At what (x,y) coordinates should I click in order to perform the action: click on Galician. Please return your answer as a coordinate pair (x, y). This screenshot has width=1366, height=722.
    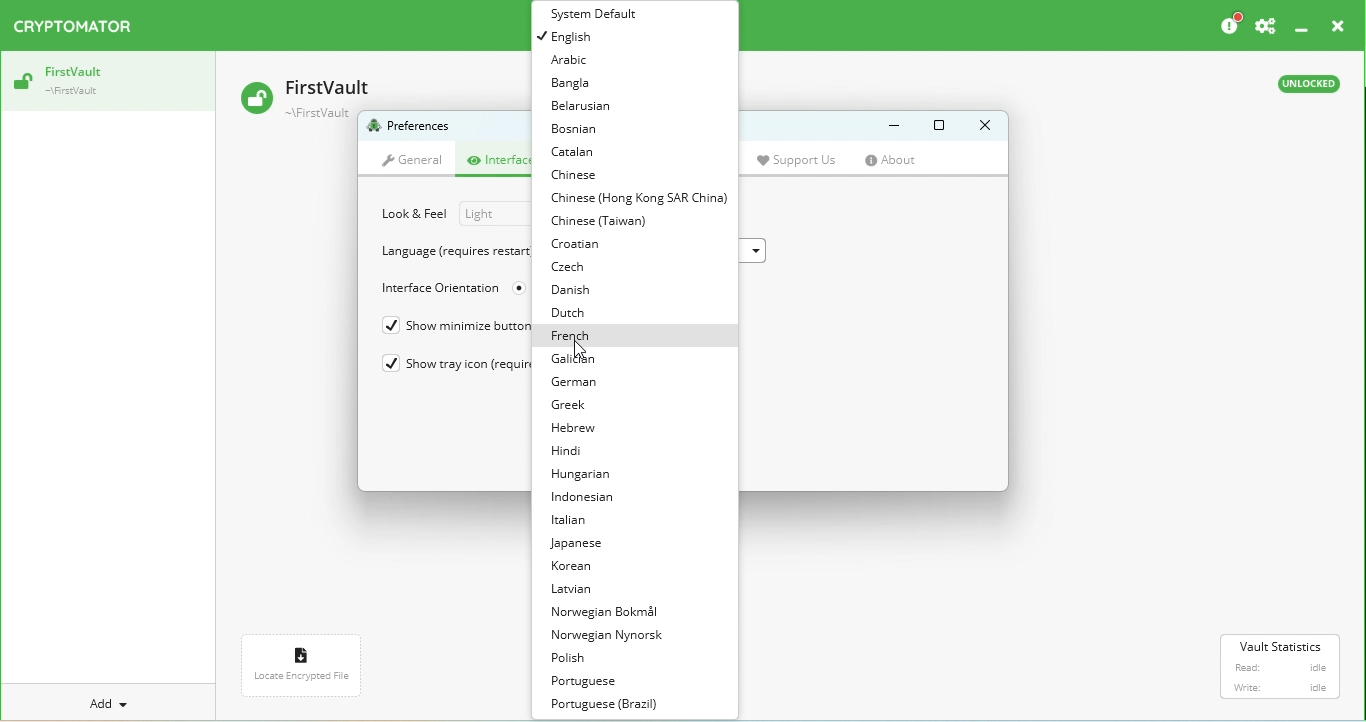
    Looking at the image, I should click on (578, 357).